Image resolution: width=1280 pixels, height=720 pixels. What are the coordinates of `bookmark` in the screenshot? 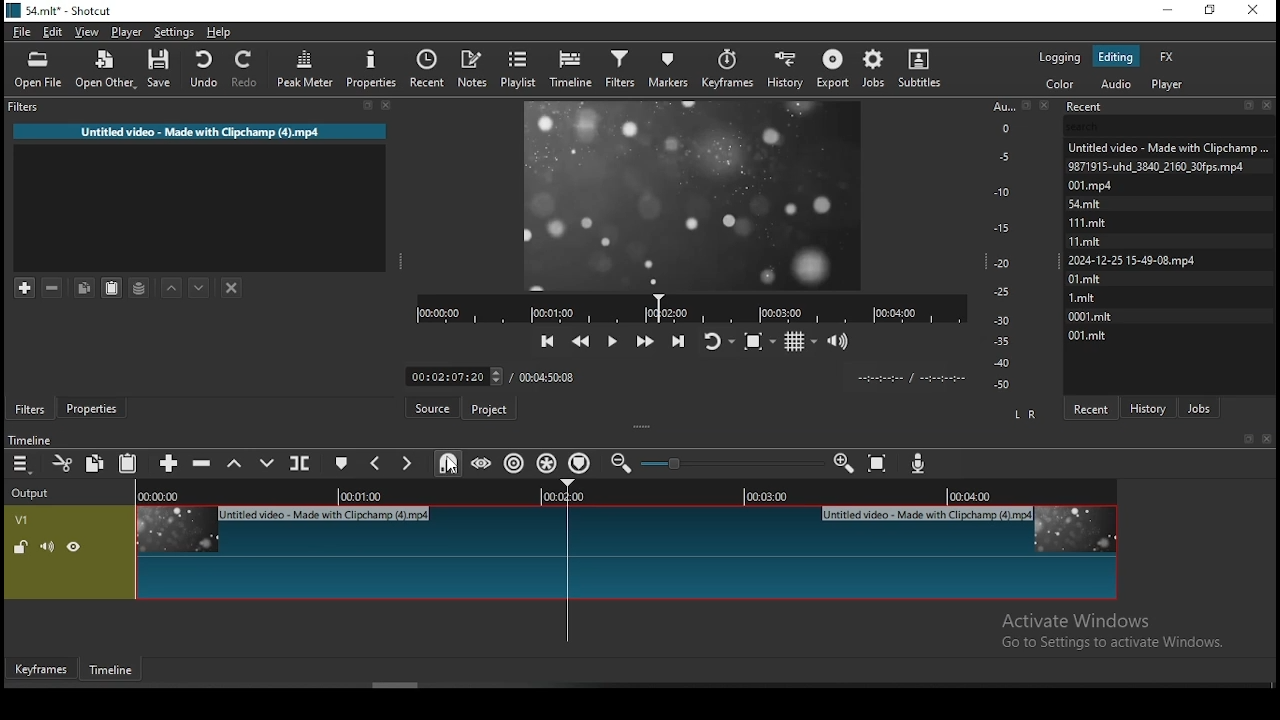 It's located at (1247, 439).